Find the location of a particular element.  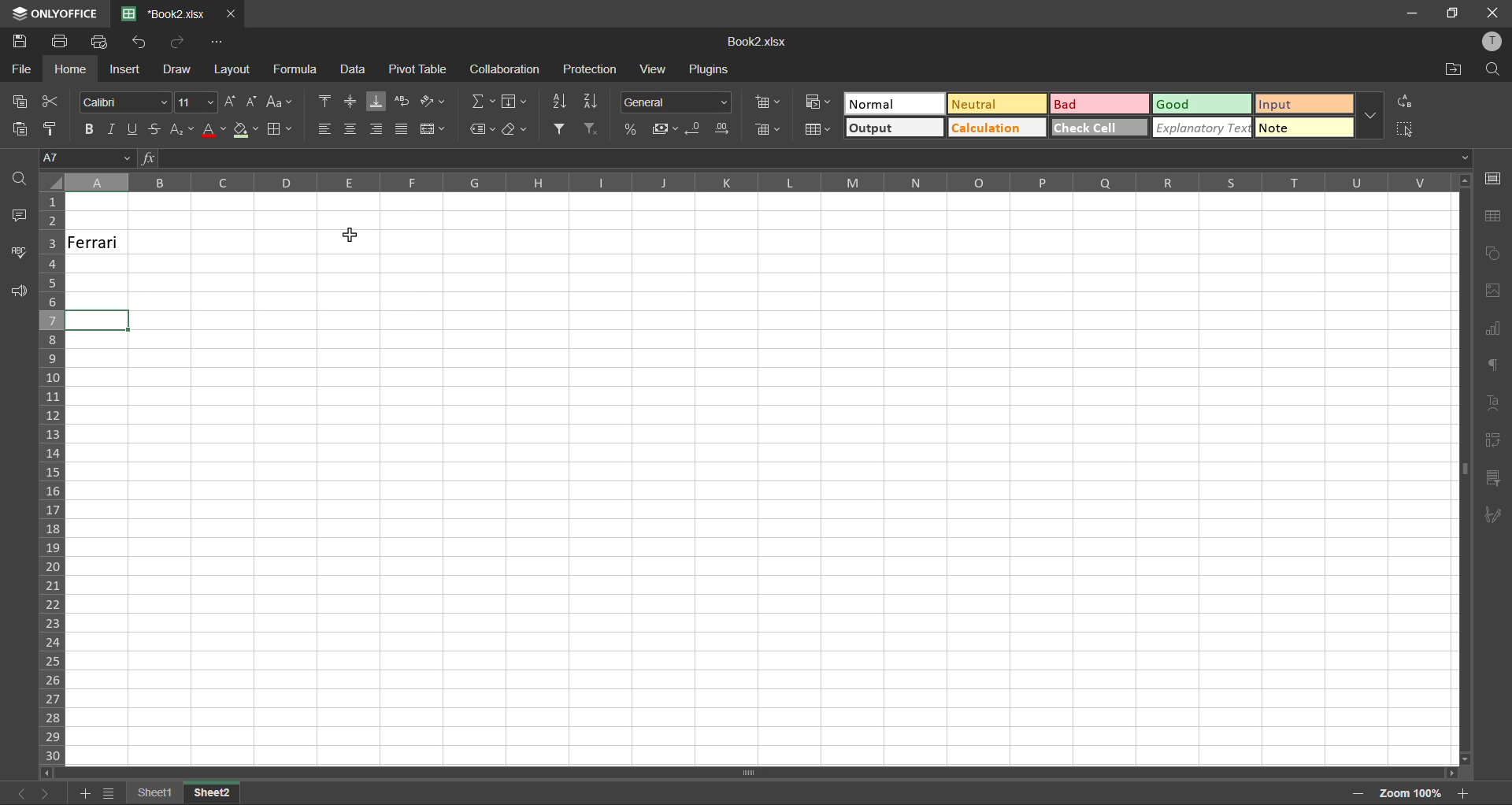

align right is located at coordinates (379, 129).